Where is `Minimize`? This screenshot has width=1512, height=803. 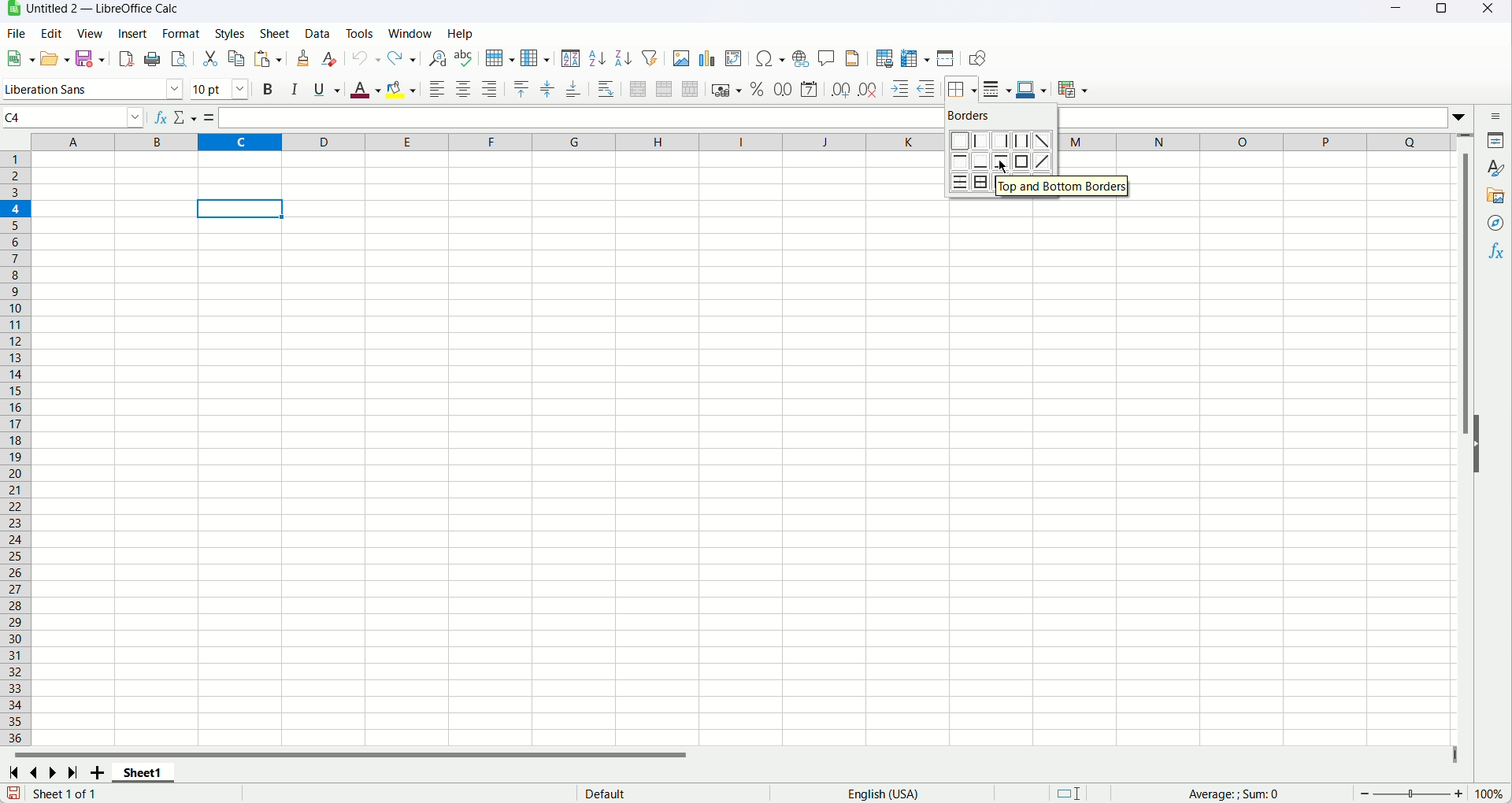
Minimize is located at coordinates (1399, 11).